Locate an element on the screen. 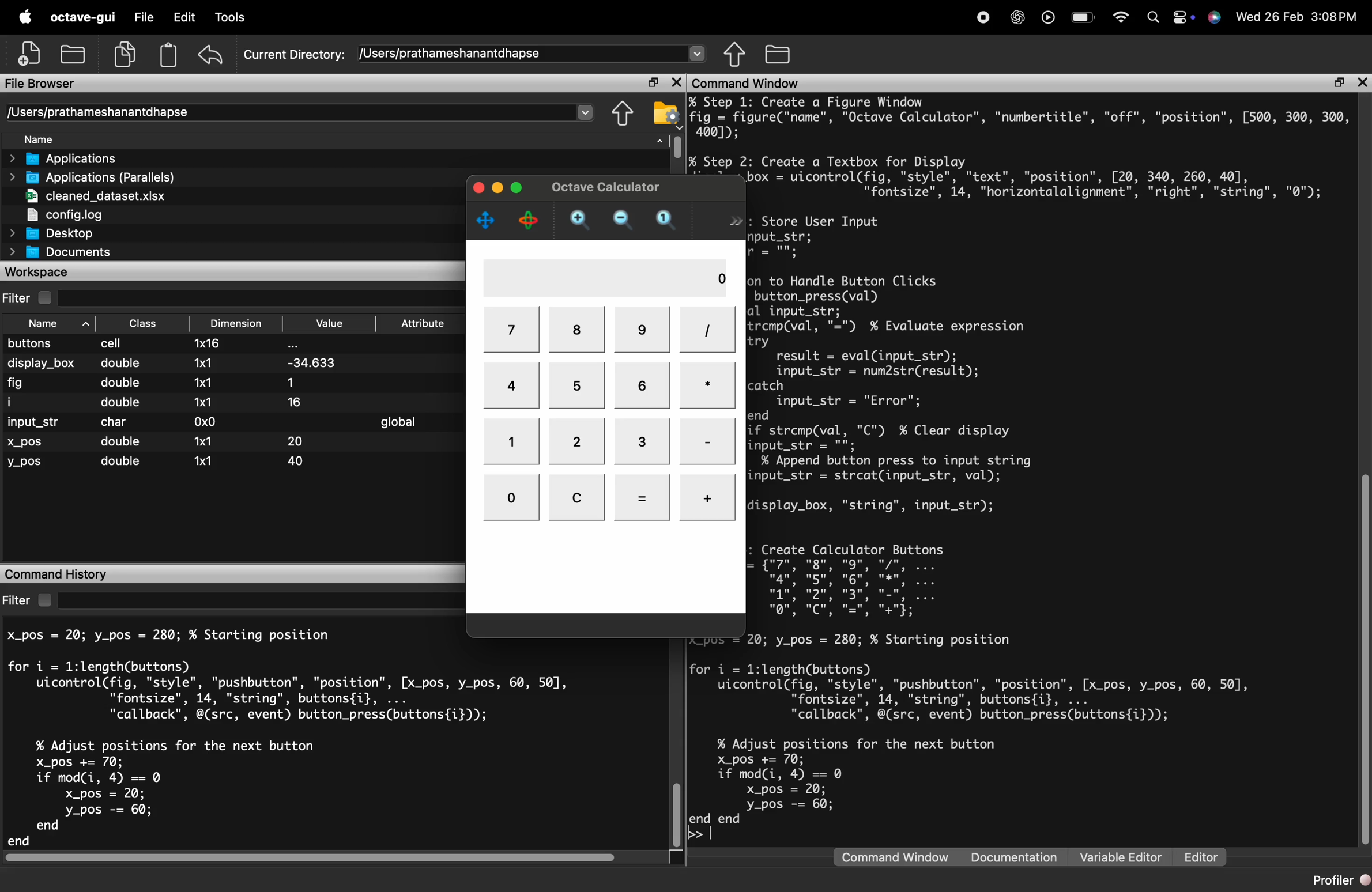 The image size is (1372, 892). config.log is located at coordinates (62, 216).